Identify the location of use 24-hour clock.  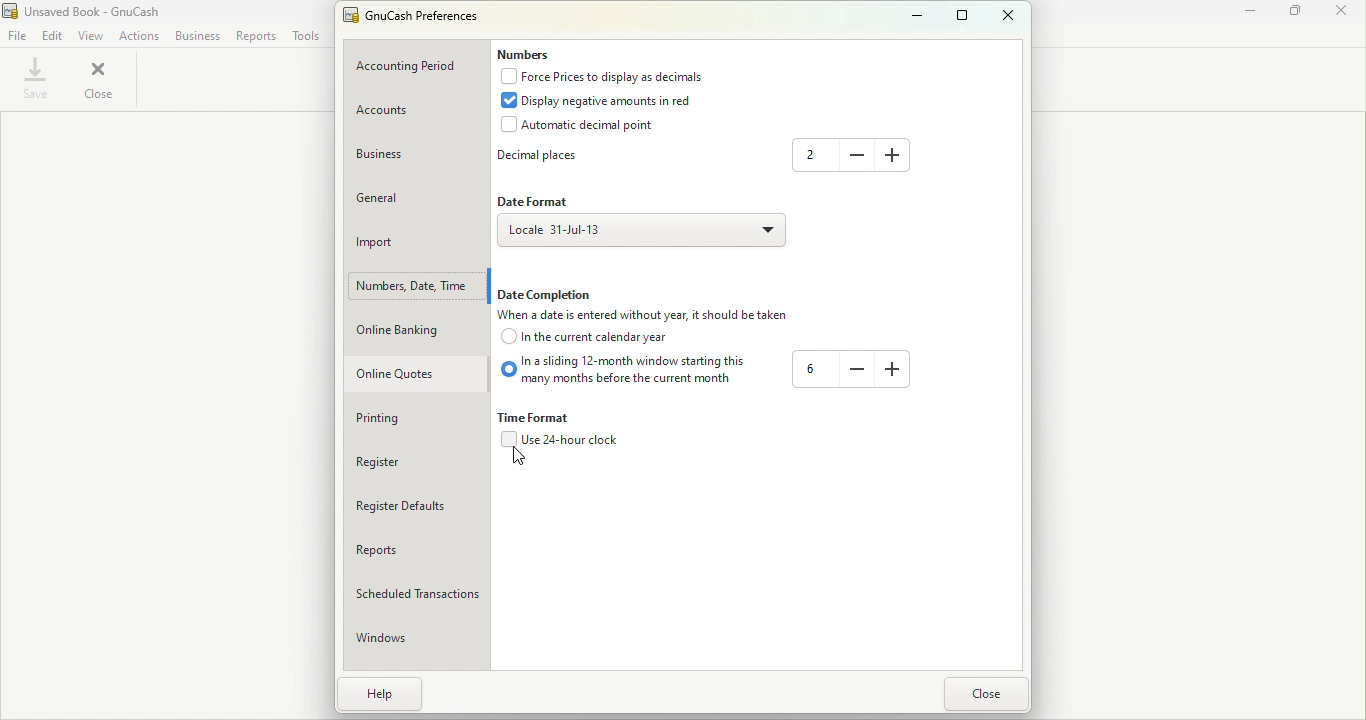
(560, 443).